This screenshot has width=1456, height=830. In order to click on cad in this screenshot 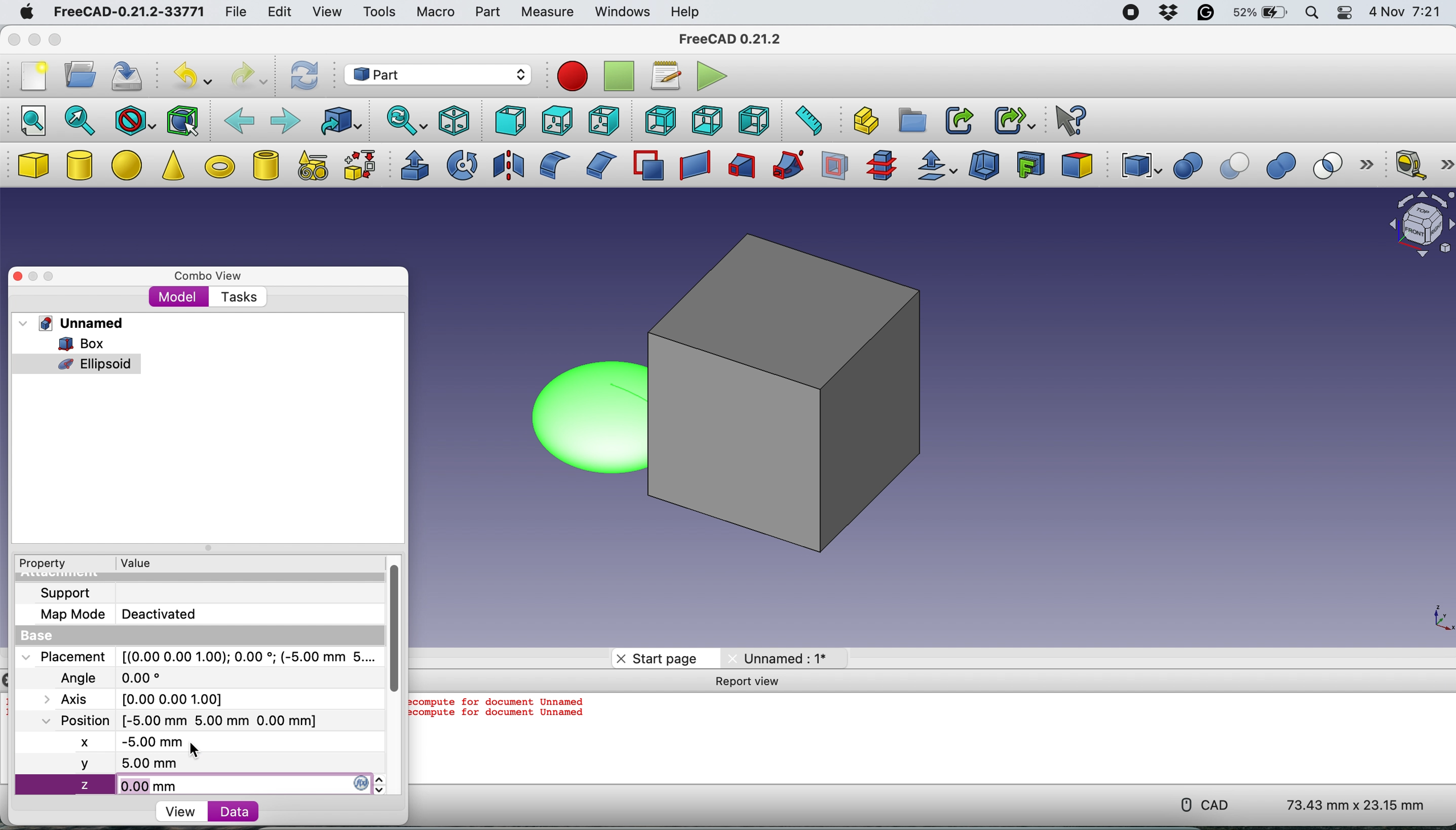, I will do `click(1200, 805)`.